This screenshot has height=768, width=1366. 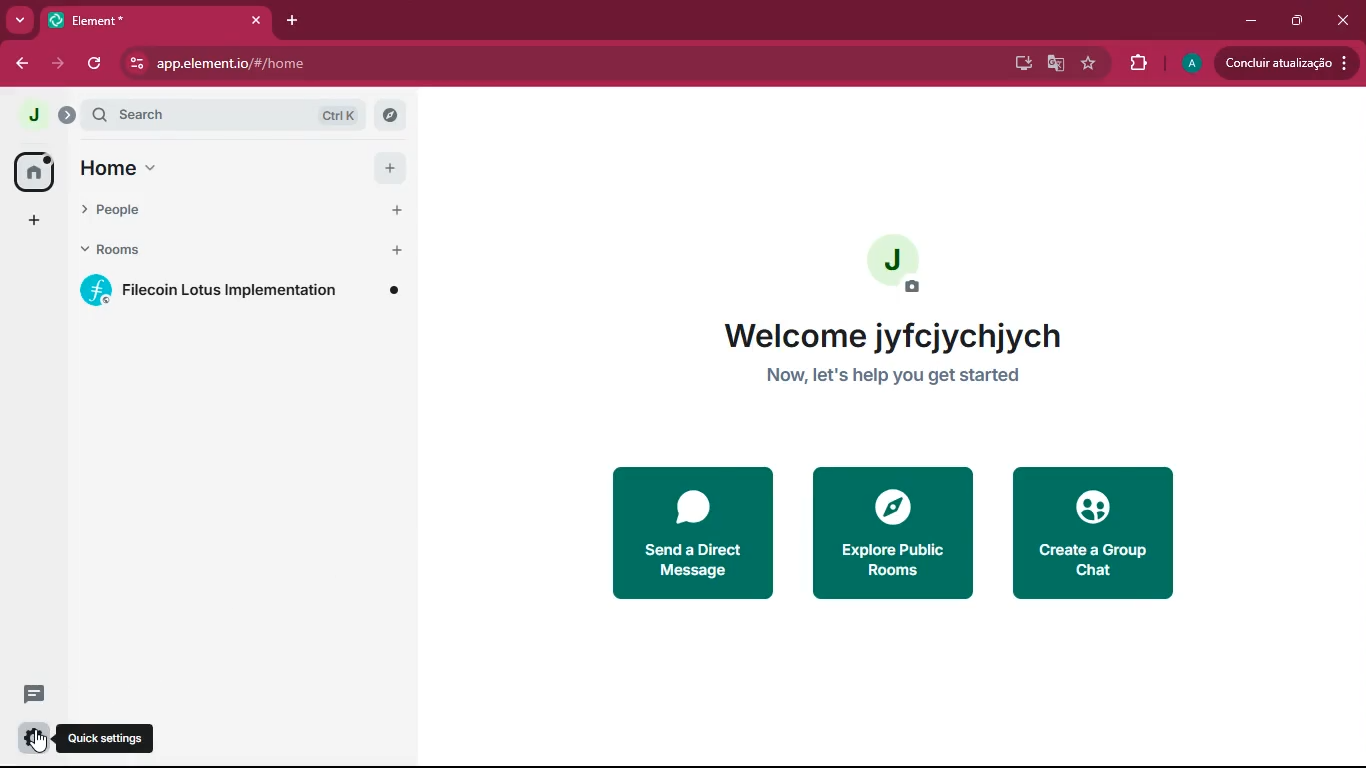 I want to click on settings, so click(x=33, y=740).